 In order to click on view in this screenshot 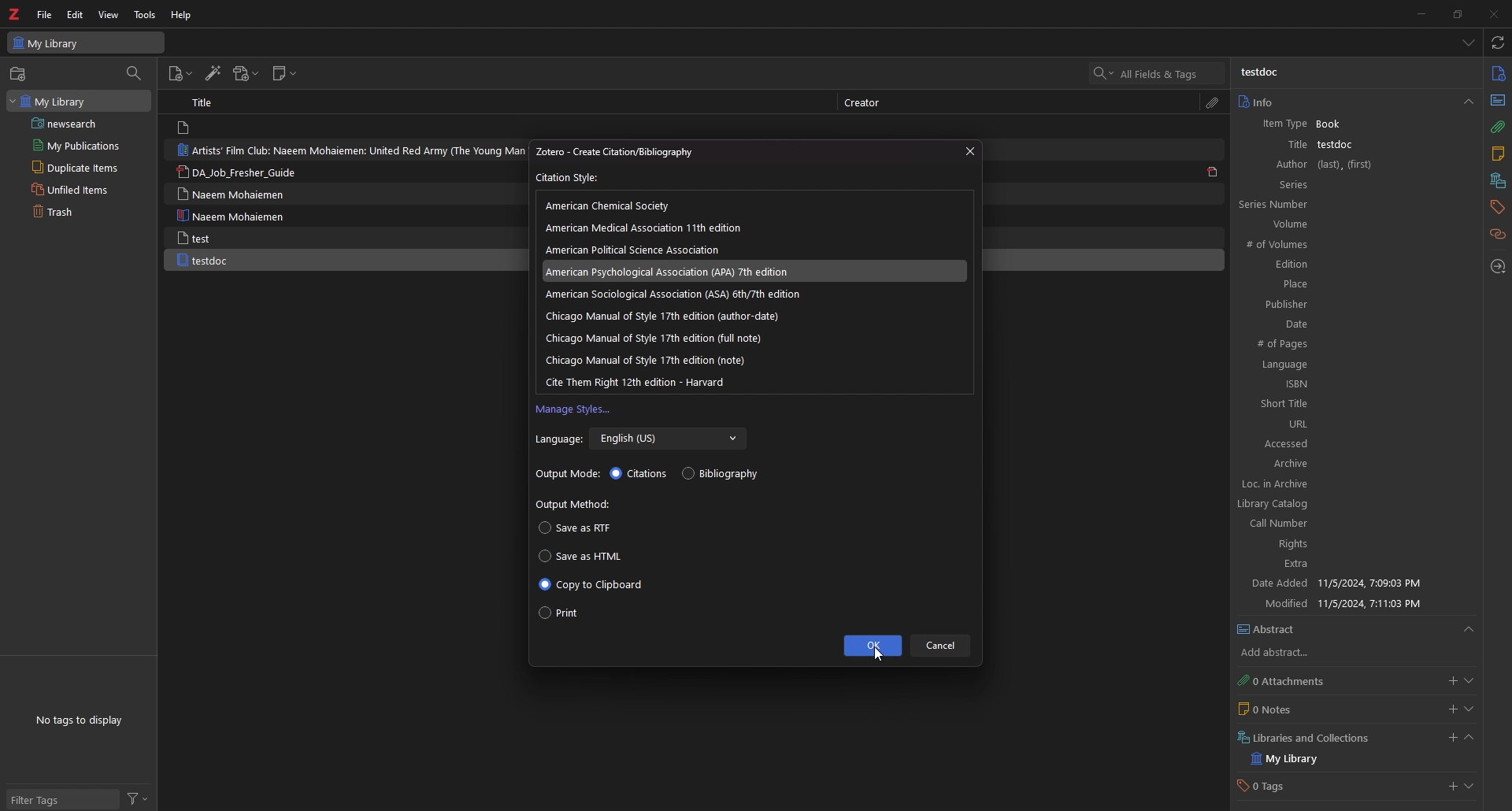, I will do `click(109, 15)`.